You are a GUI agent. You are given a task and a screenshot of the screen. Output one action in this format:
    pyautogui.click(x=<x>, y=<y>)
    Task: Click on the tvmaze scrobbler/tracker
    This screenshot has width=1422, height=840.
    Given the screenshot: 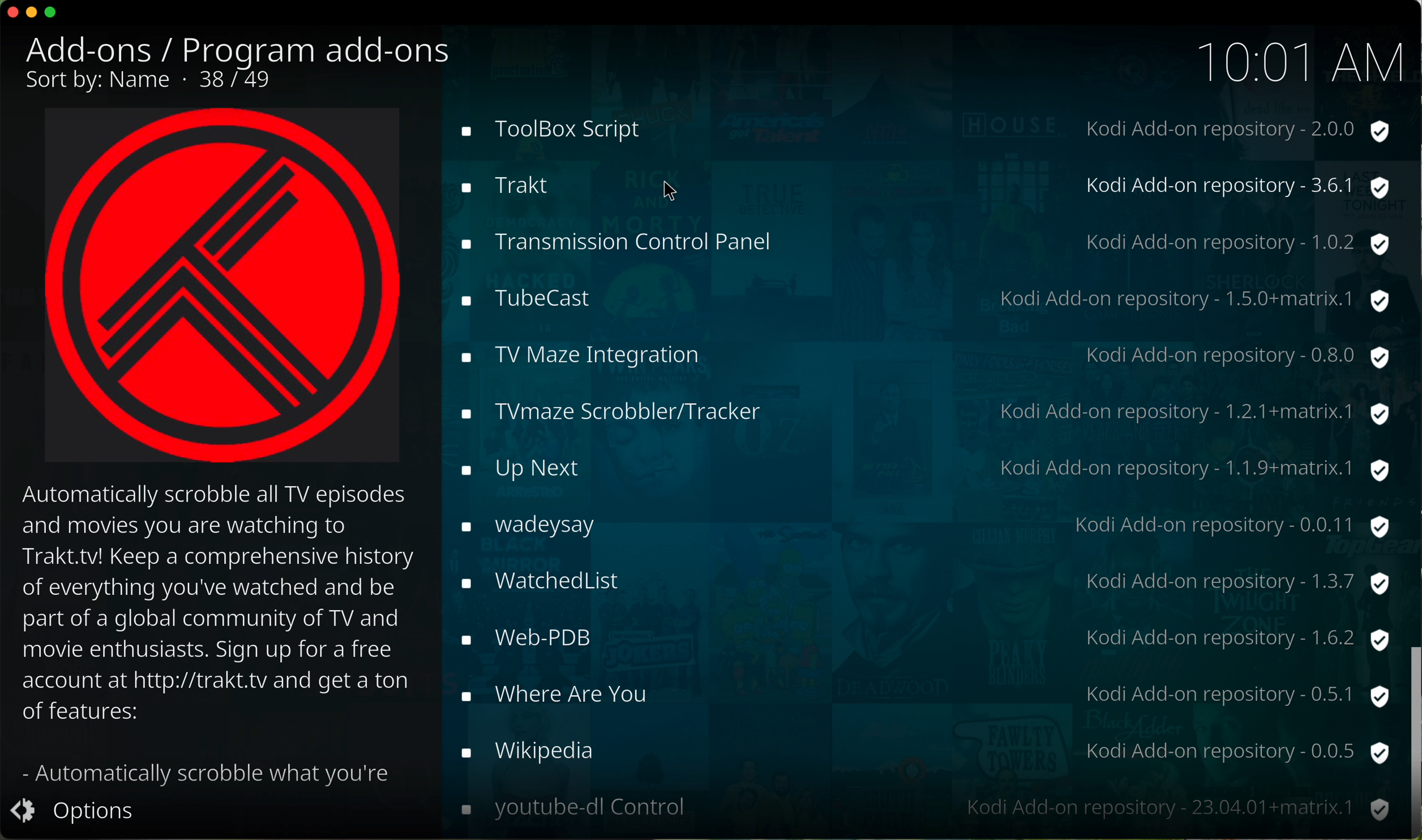 What is the action you would take?
    pyautogui.click(x=918, y=410)
    